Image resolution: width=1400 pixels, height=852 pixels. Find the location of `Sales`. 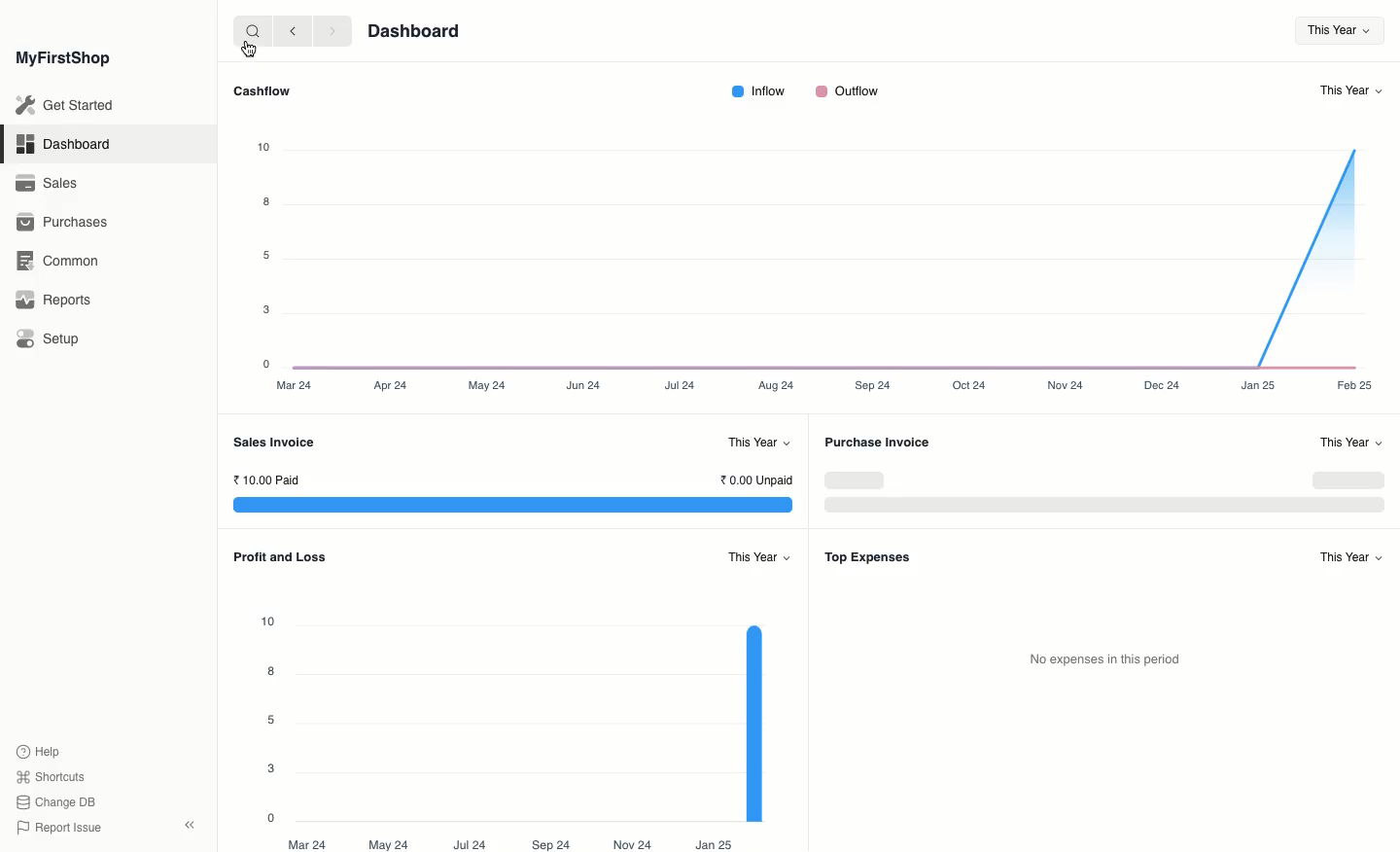

Sales is located at coordinates (48, 185).